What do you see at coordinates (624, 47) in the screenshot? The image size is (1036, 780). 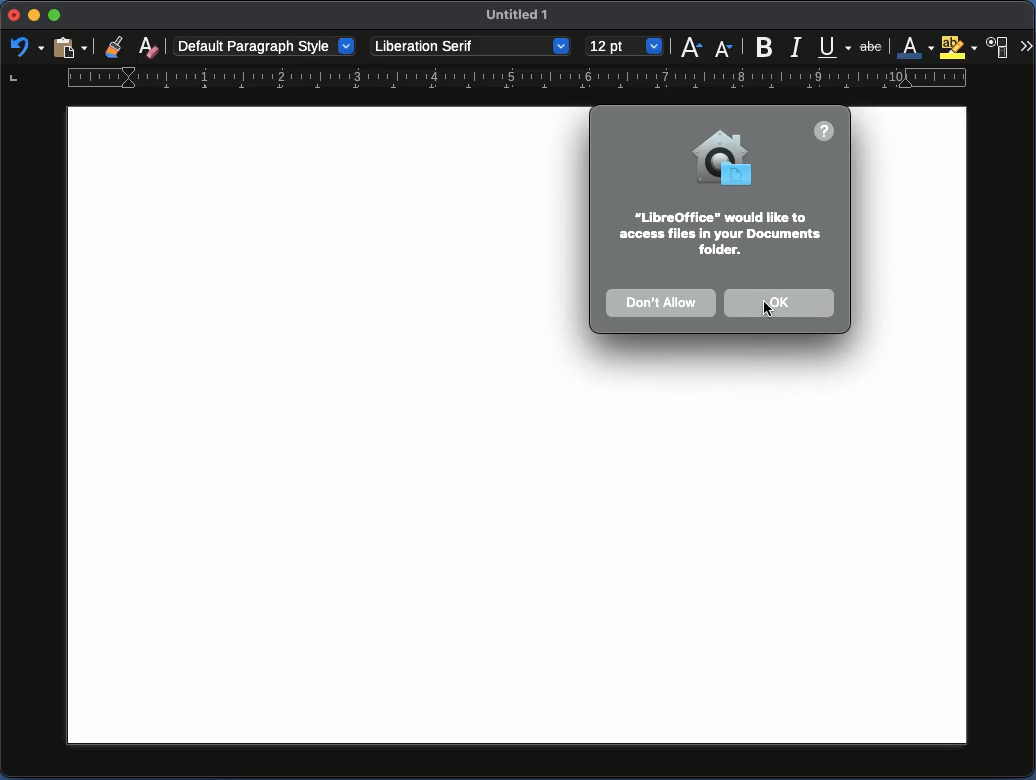 I see `Size` at bounding box center [624, 47].